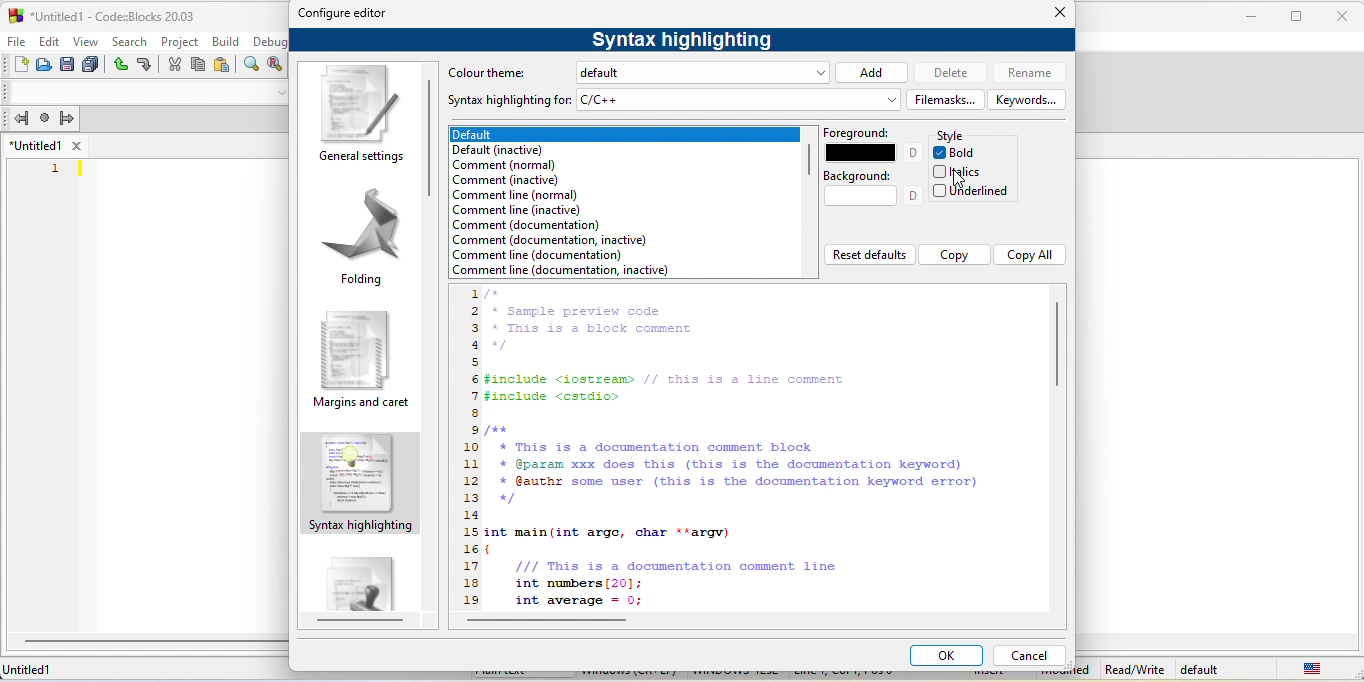 Image resolution: width=1364 pixels, height=682 pixels. What do you see at coordinates (505, 180) in the screenshot?
I see `comment inactive` at bounding box center [505, 180].